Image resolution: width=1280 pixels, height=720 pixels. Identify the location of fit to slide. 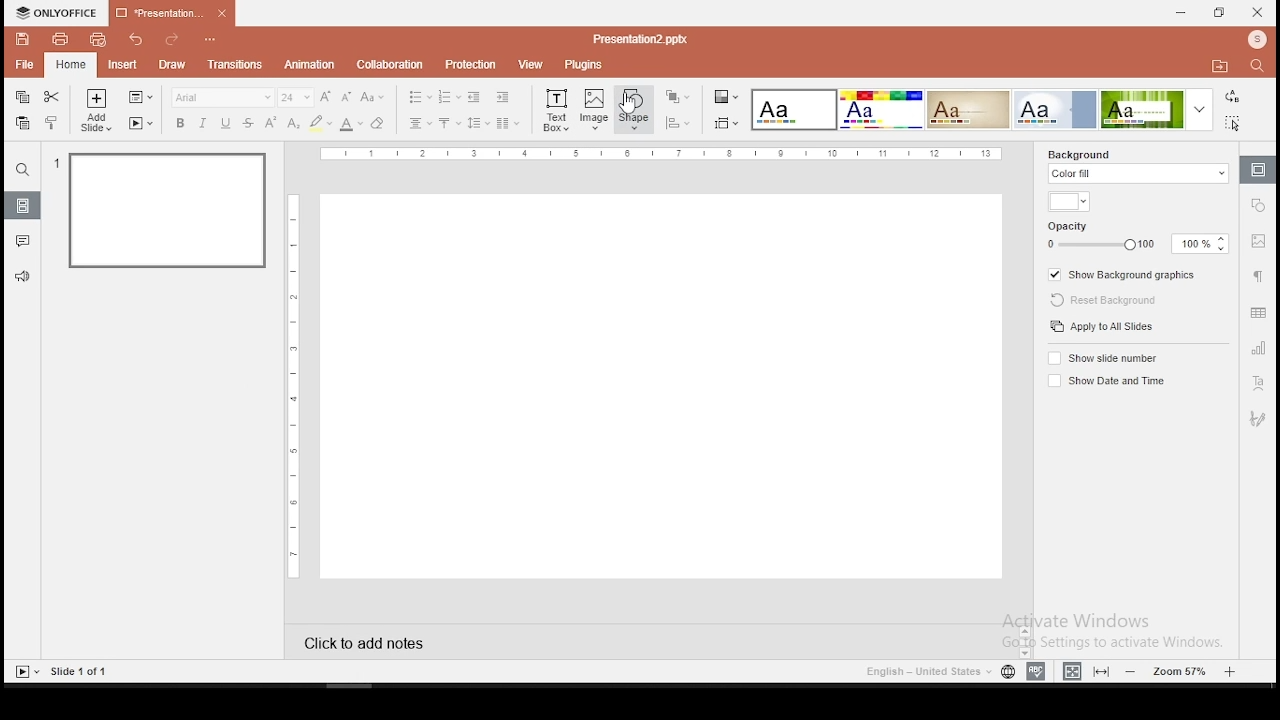
(1101, 671).